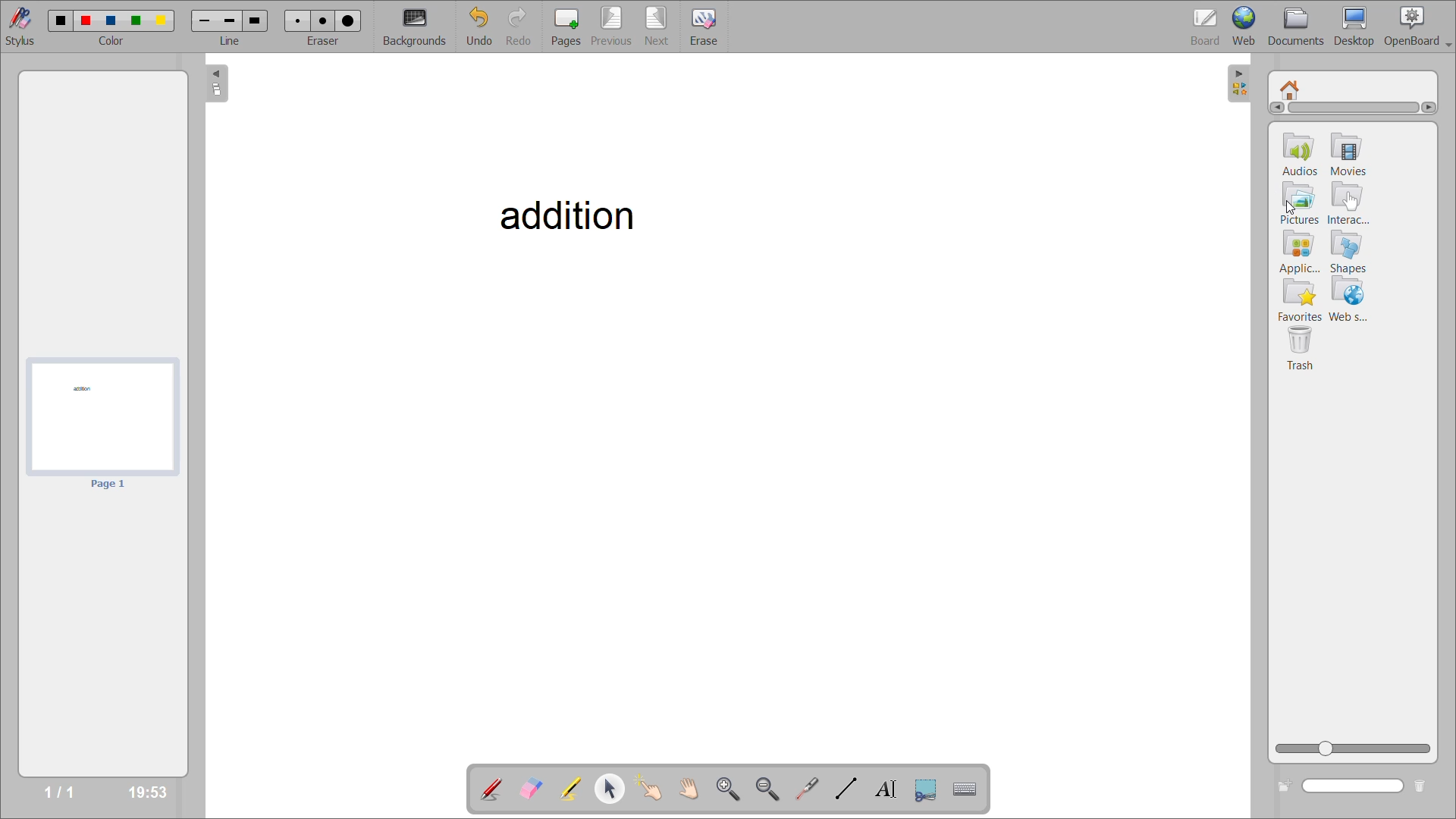  I want to click on line 2, so click(230, 23).